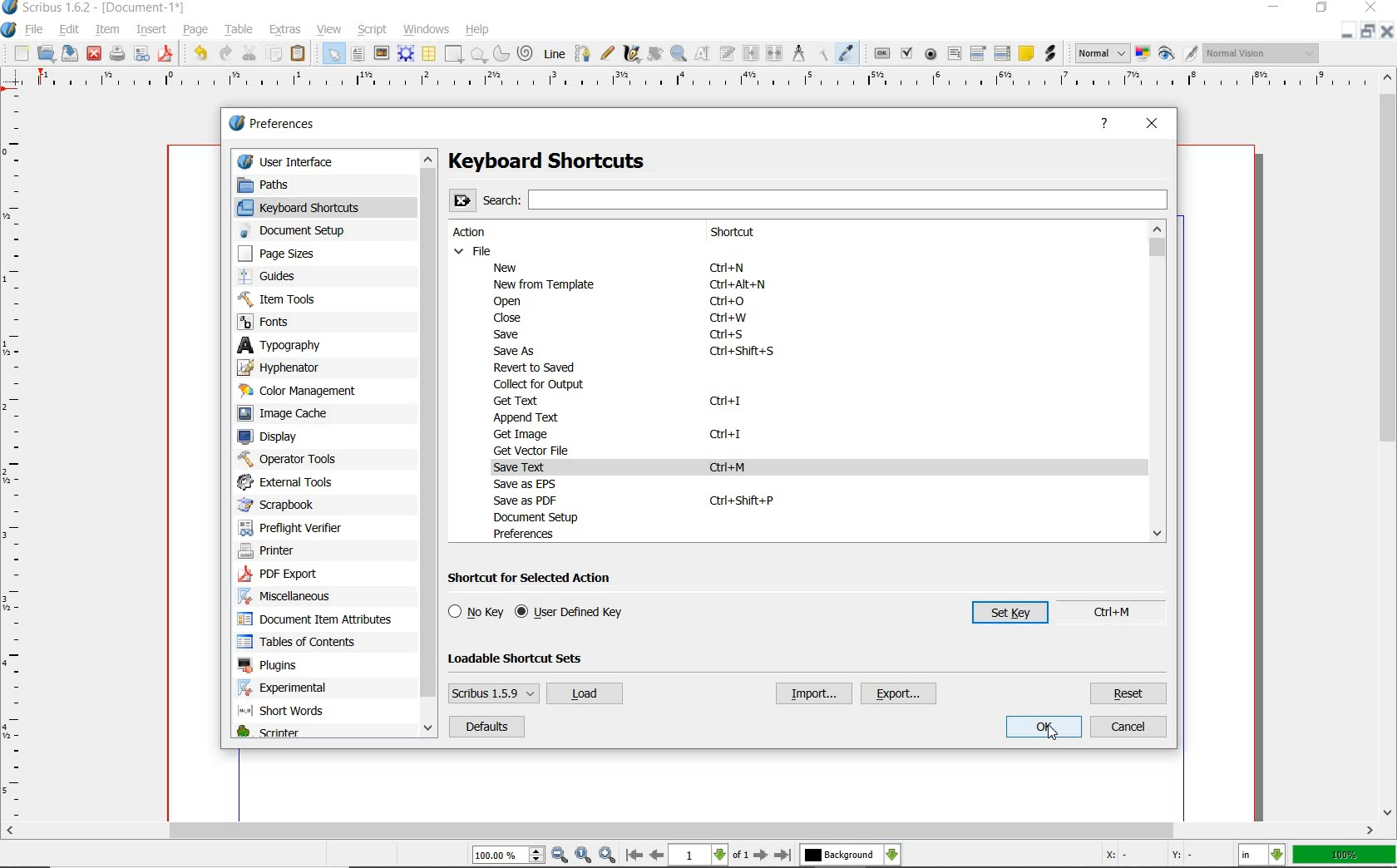 Image resolution: width=1397 pixels, height=868 pixels. Describe the element at coordinates (293, 481) in the screenshot. I see `external tools` at that location.